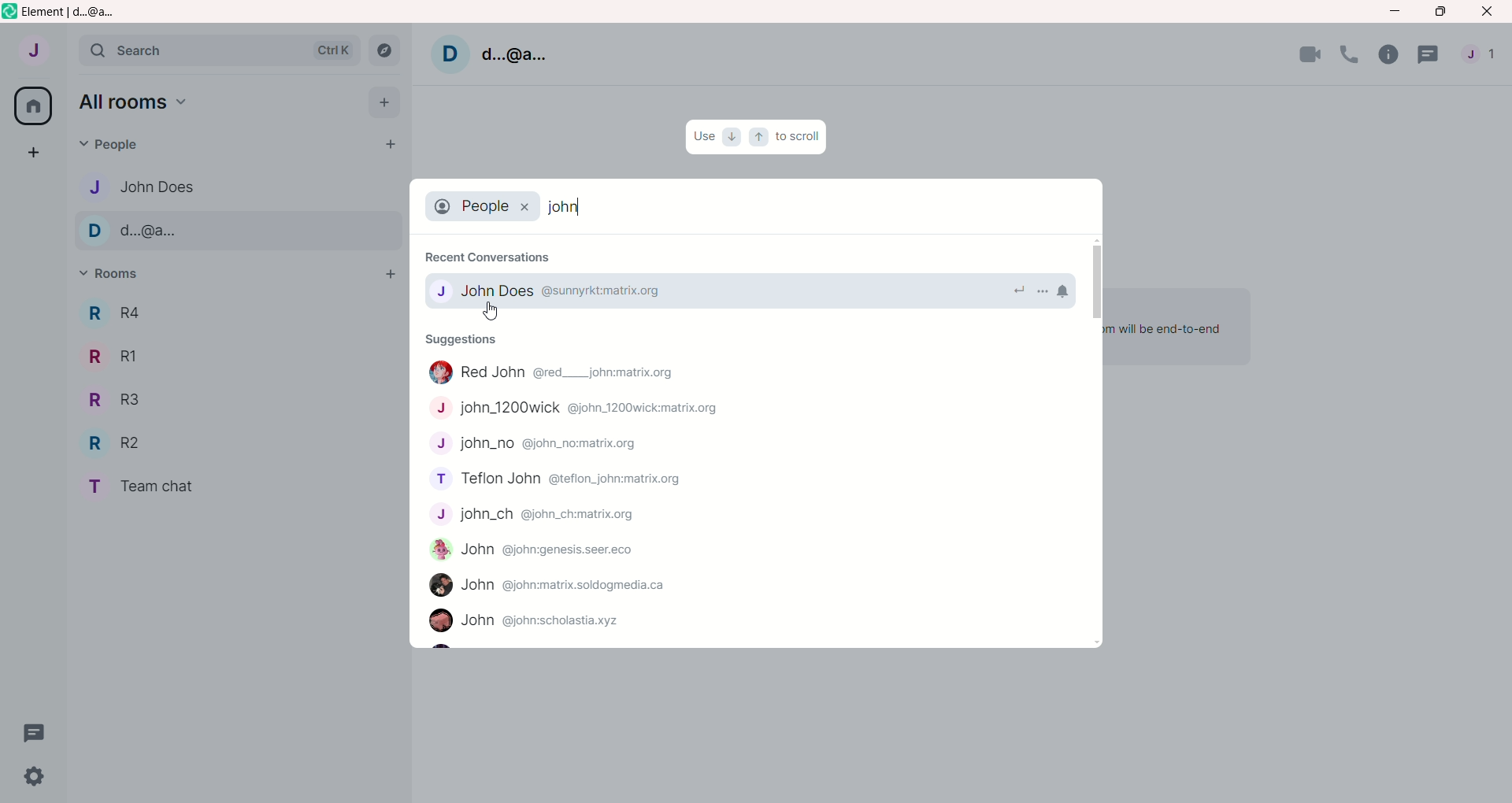  What do you see at coordinates (385, 102) in the screenshot?
I see `add` at bounding box center [385, 102].